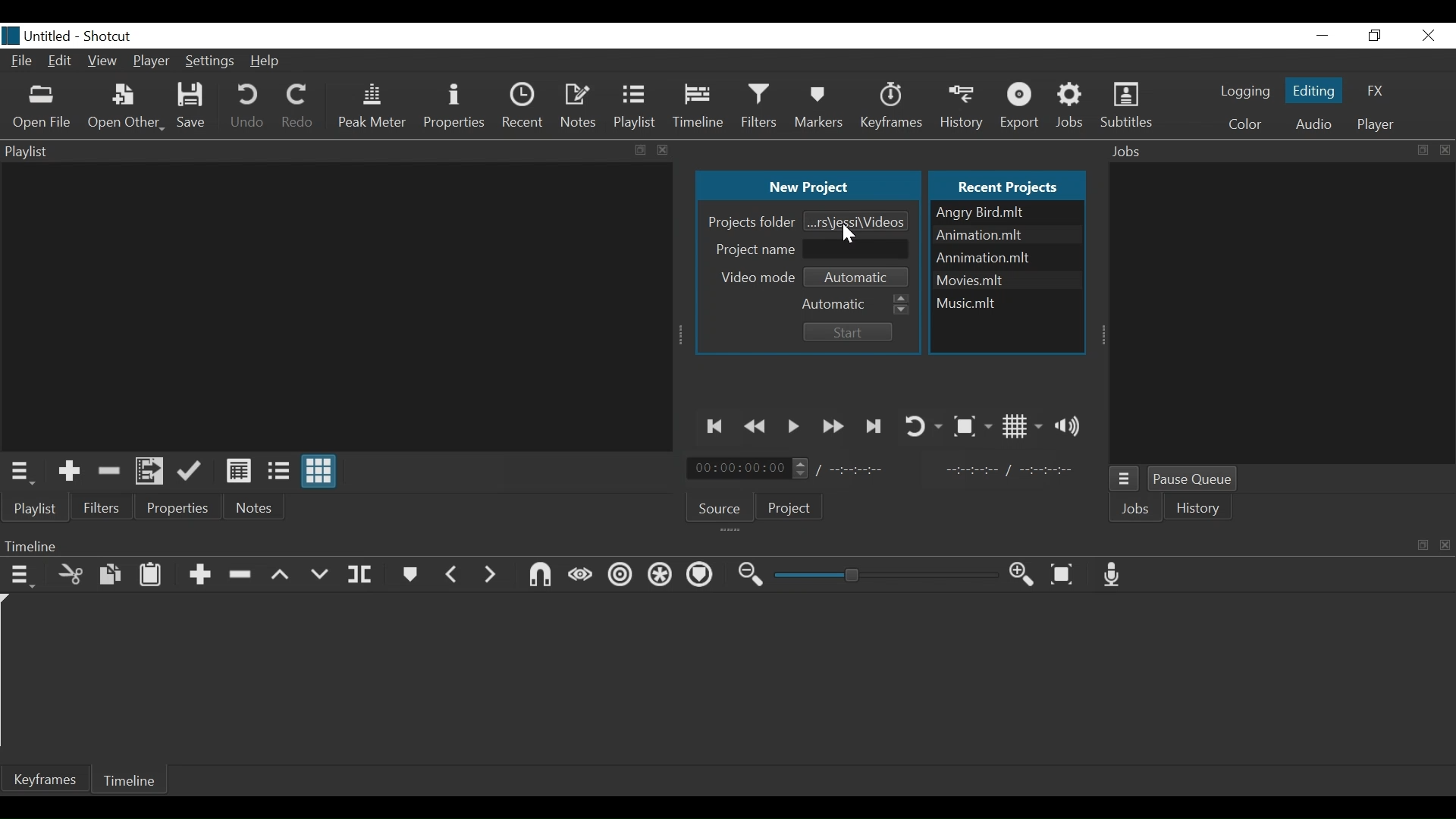 Image resolution: width=1456 pixels, height=819 pixels. What do you see at coordinates (71, 573) in the screenshot?
I see `Cut` at bounding box center [71, 573].